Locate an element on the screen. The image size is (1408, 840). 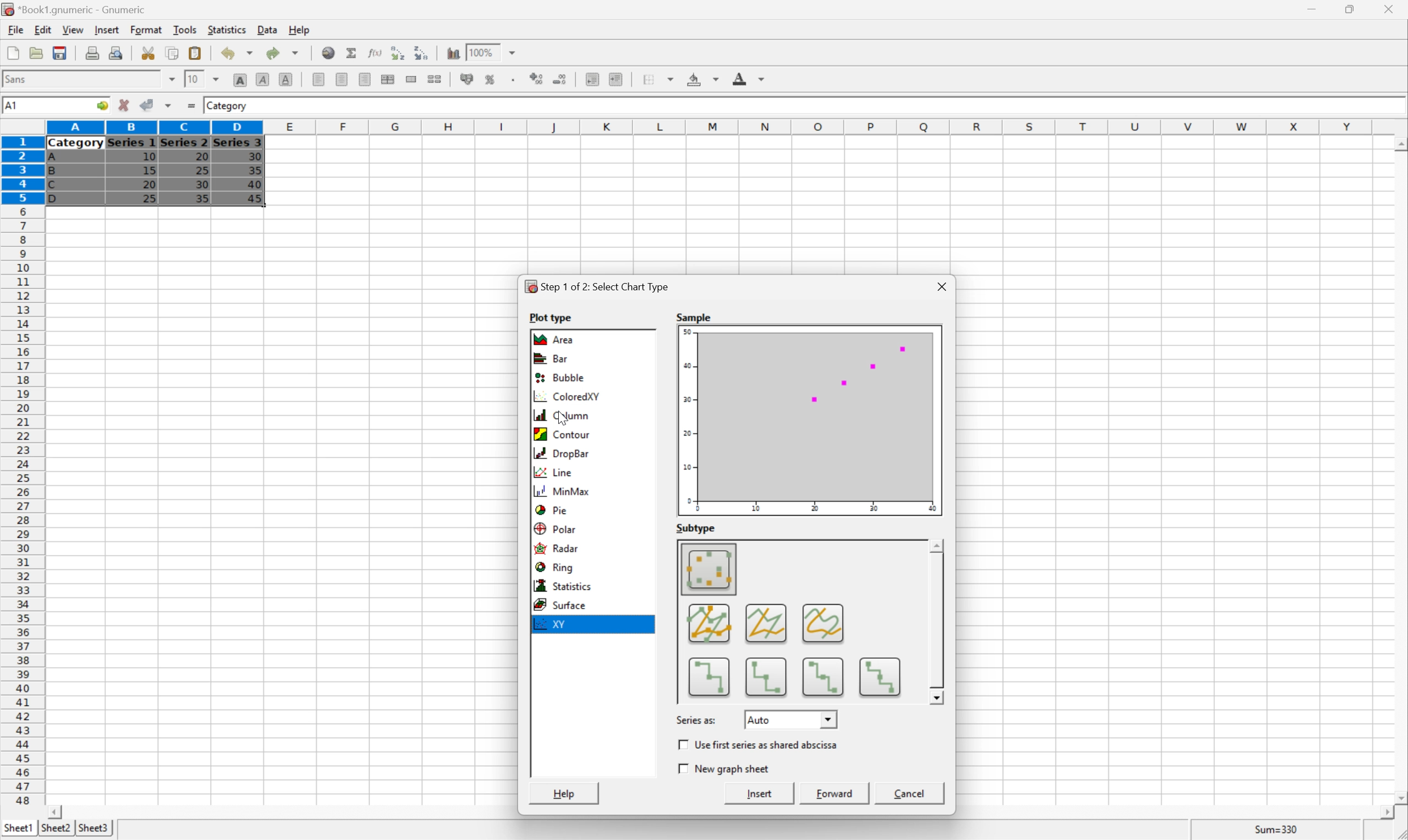
Cancel is located at coordinates (914, 794).